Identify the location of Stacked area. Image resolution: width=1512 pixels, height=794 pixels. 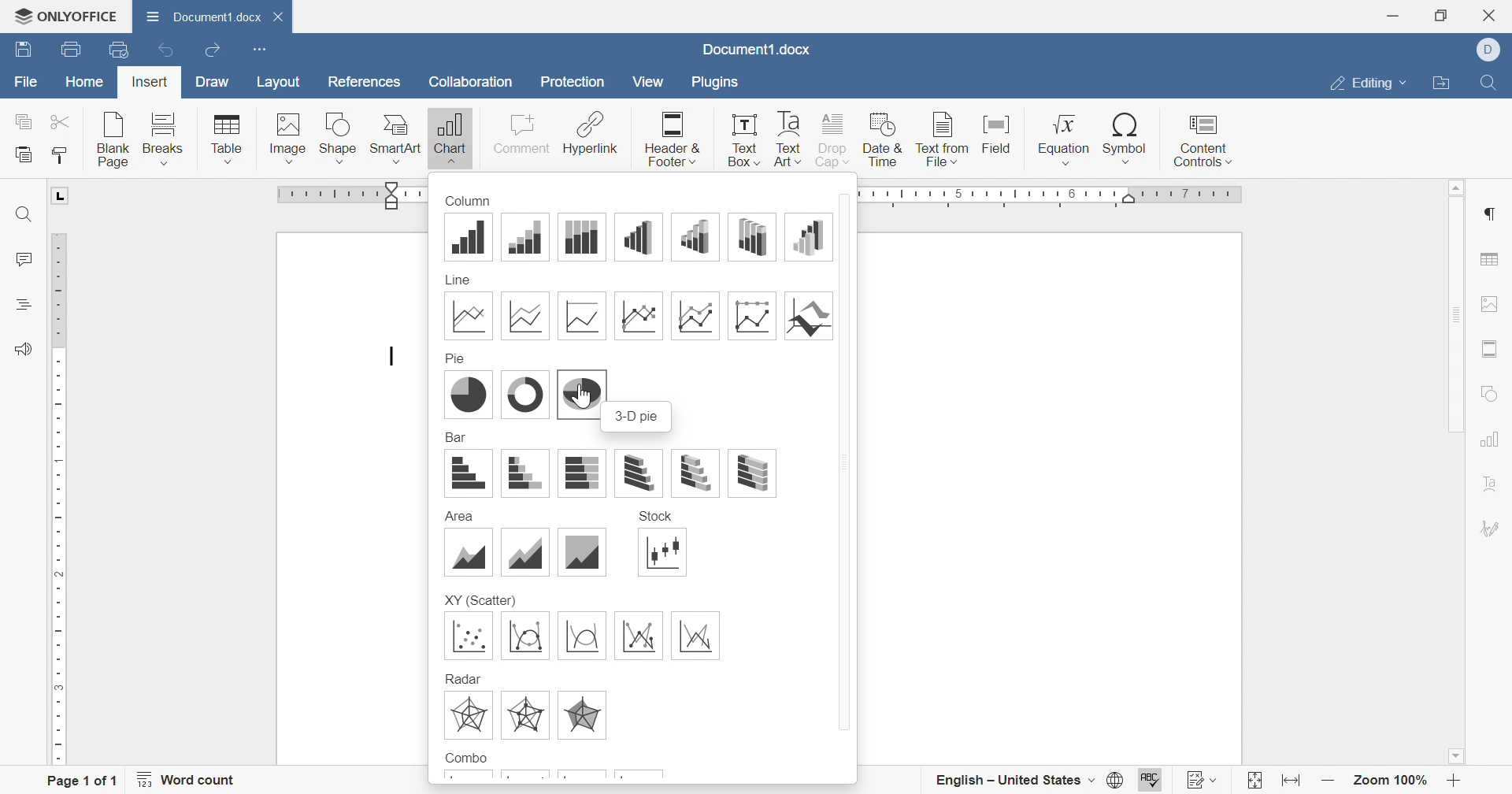
(524, 551).